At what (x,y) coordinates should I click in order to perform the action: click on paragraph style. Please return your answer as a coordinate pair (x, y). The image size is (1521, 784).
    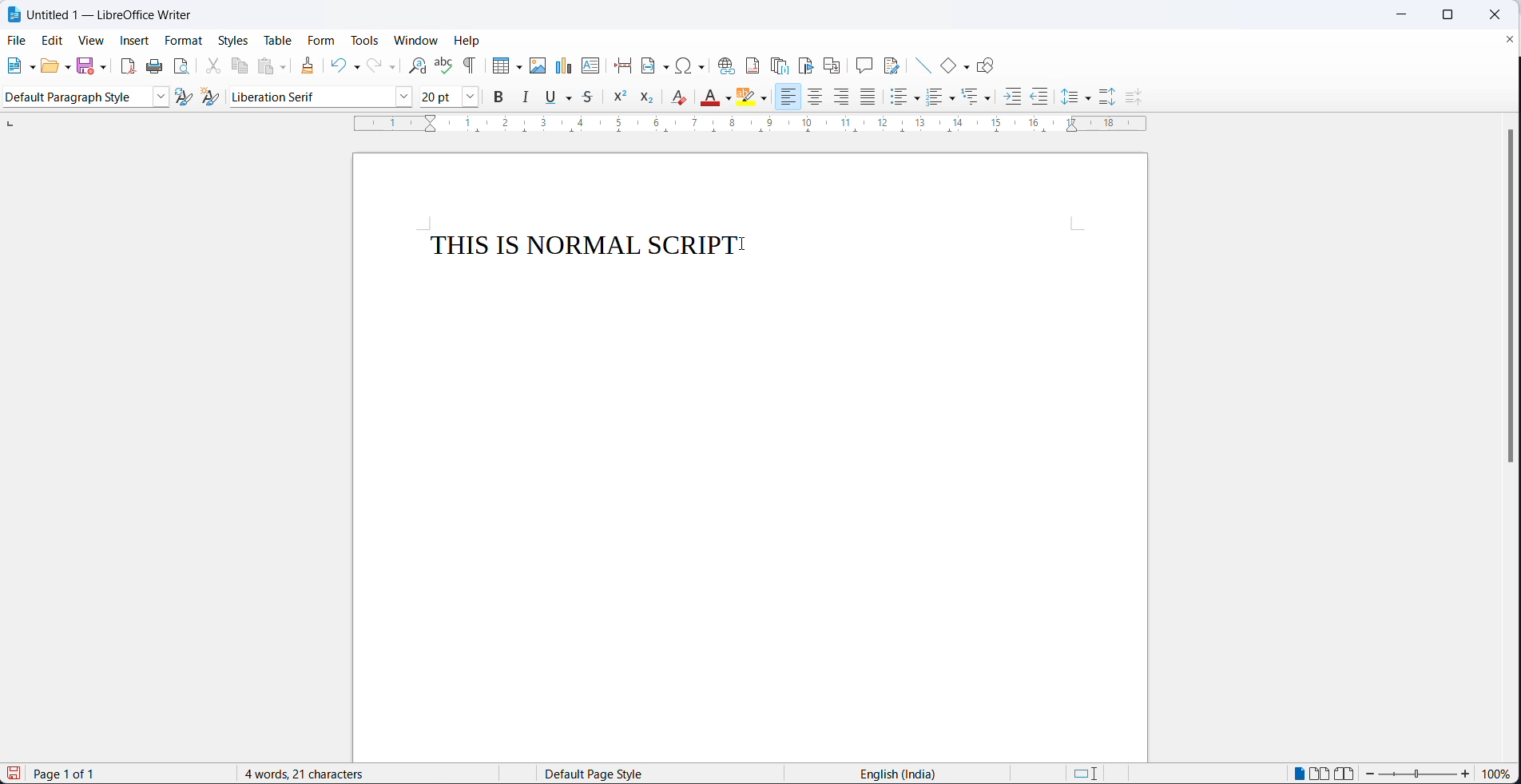
    Looking at the image, I should click on (74, 97).